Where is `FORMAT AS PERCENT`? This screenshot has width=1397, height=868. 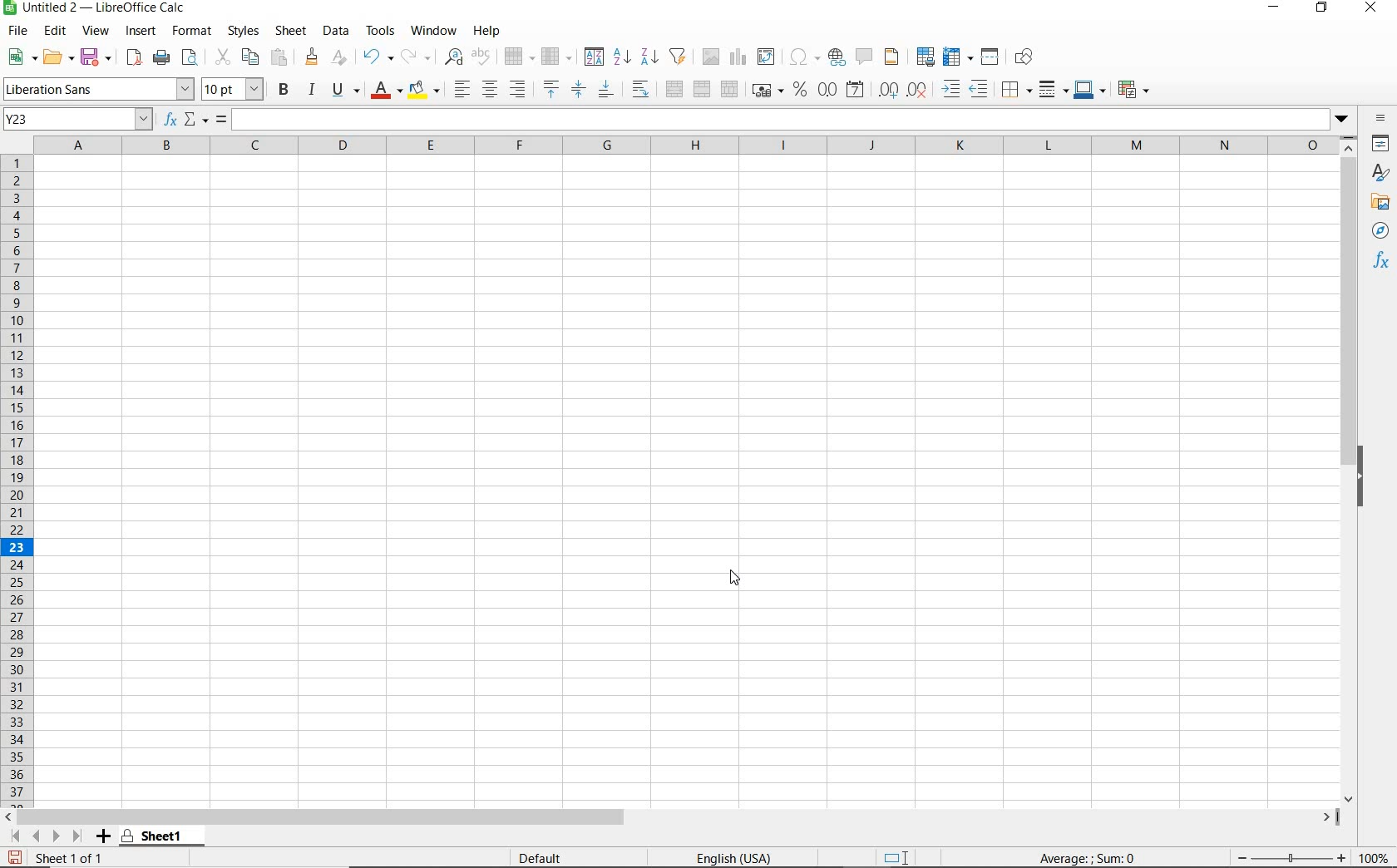
FORMAT AS PERCENT is located at coordinates (800, 91).